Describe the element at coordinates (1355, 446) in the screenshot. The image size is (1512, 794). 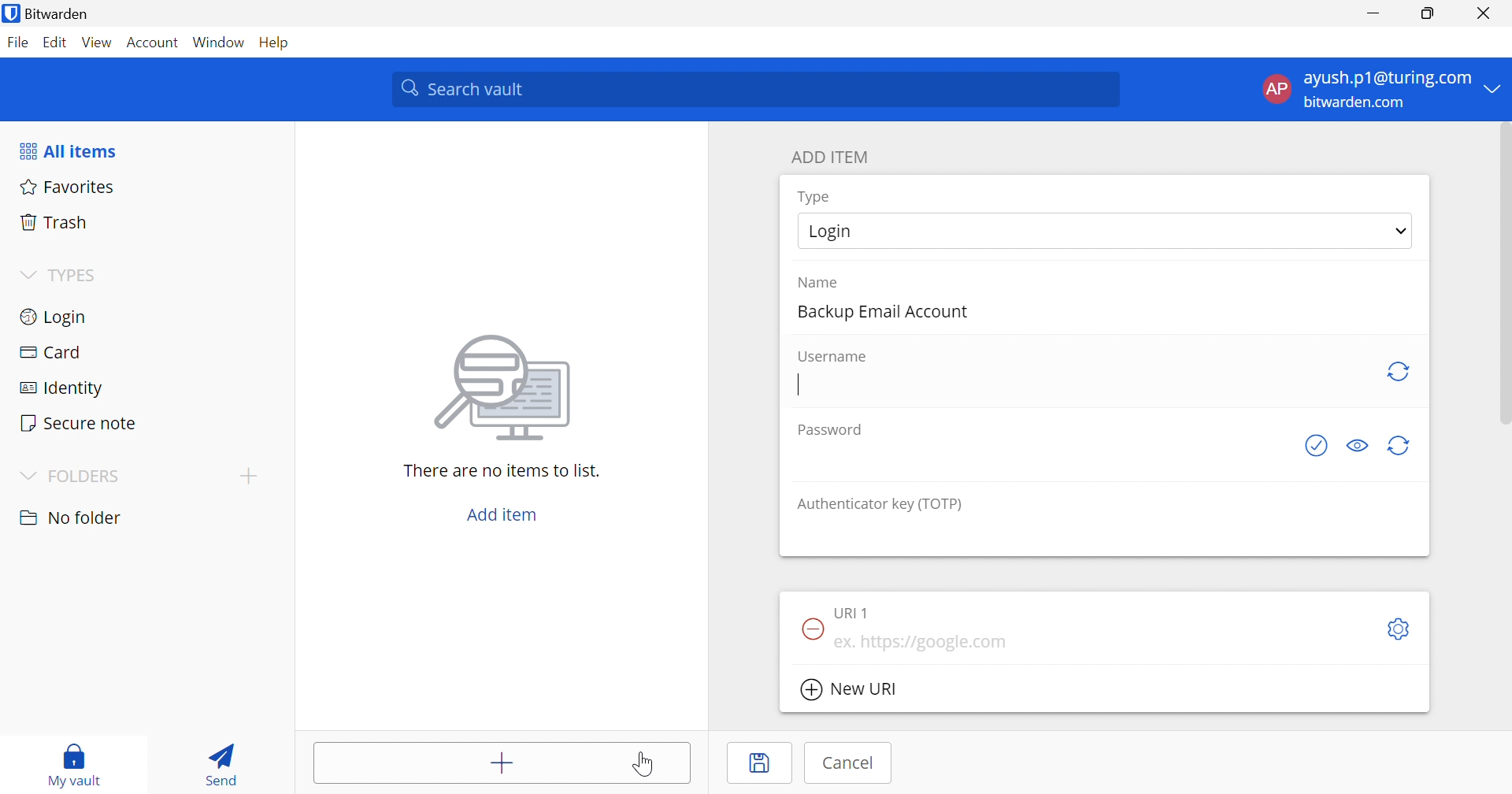
I see `Toggle visibility` at that location.